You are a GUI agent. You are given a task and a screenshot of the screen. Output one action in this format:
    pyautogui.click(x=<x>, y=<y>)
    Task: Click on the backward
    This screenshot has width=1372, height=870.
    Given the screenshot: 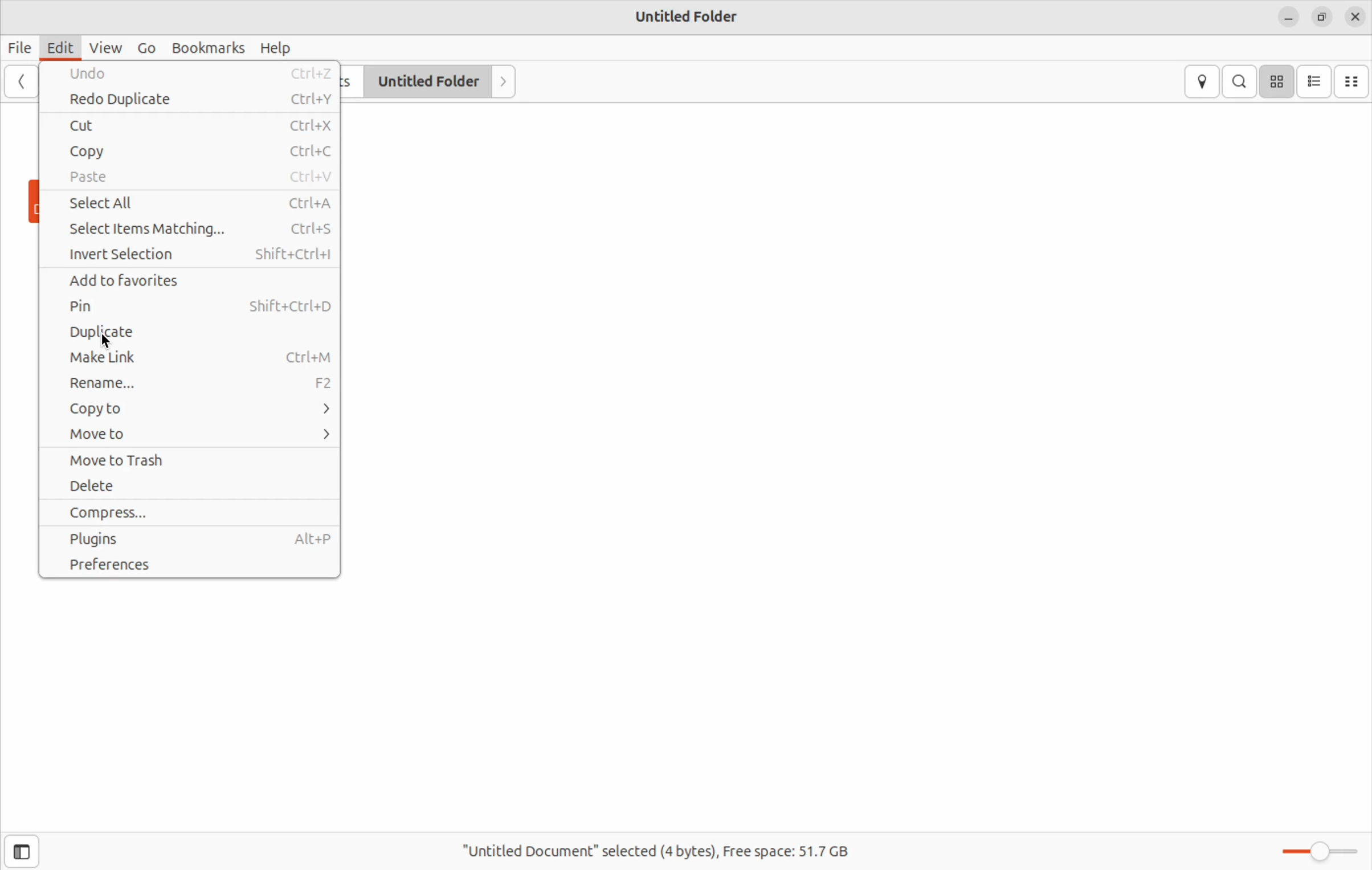 What is the action you would take?
    pyautogui.click(x=22, y=83)
    